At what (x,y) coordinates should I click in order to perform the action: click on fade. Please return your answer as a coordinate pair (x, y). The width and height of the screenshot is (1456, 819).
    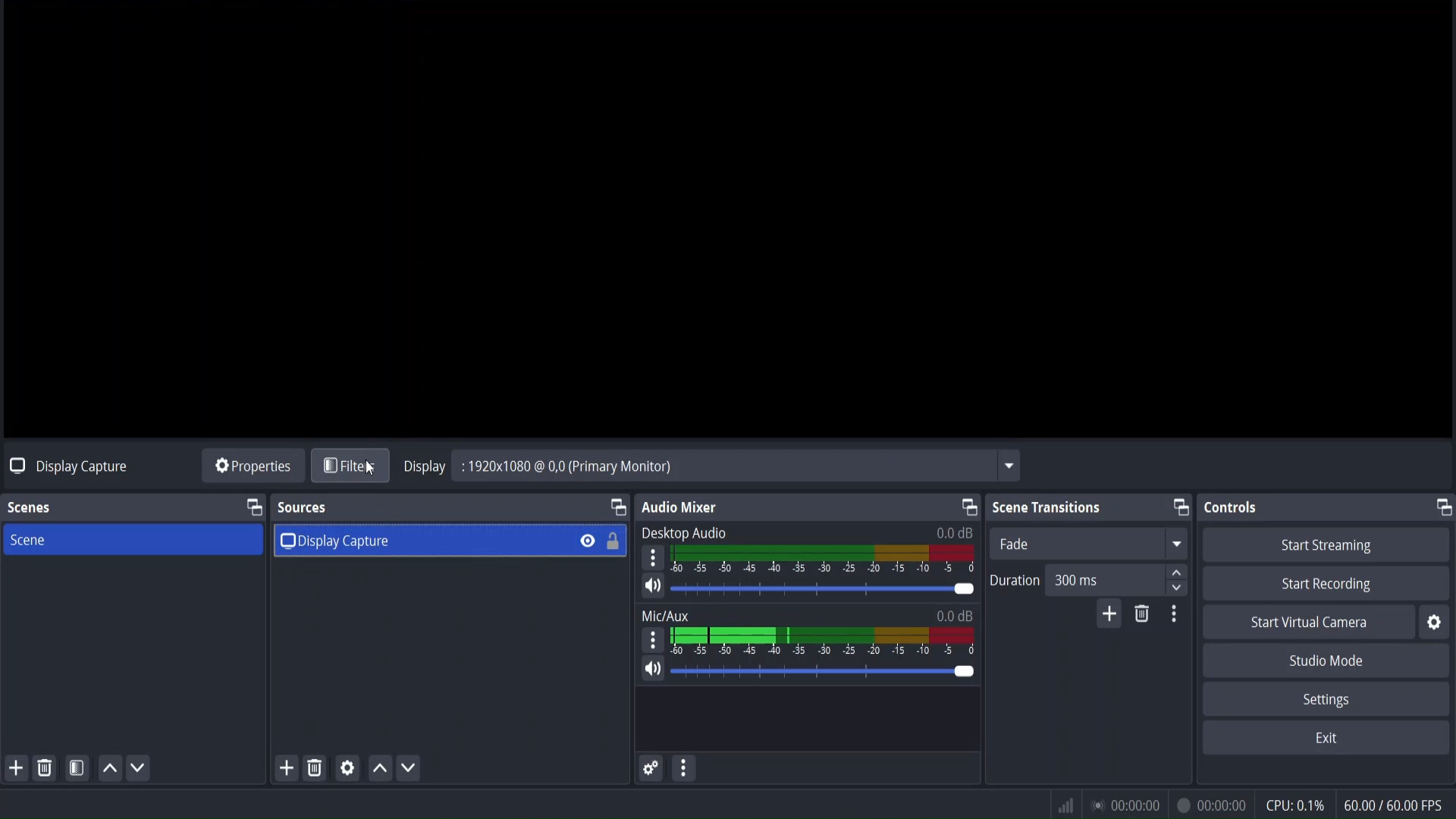
    Looking at the image, I should click on (1016, 544).